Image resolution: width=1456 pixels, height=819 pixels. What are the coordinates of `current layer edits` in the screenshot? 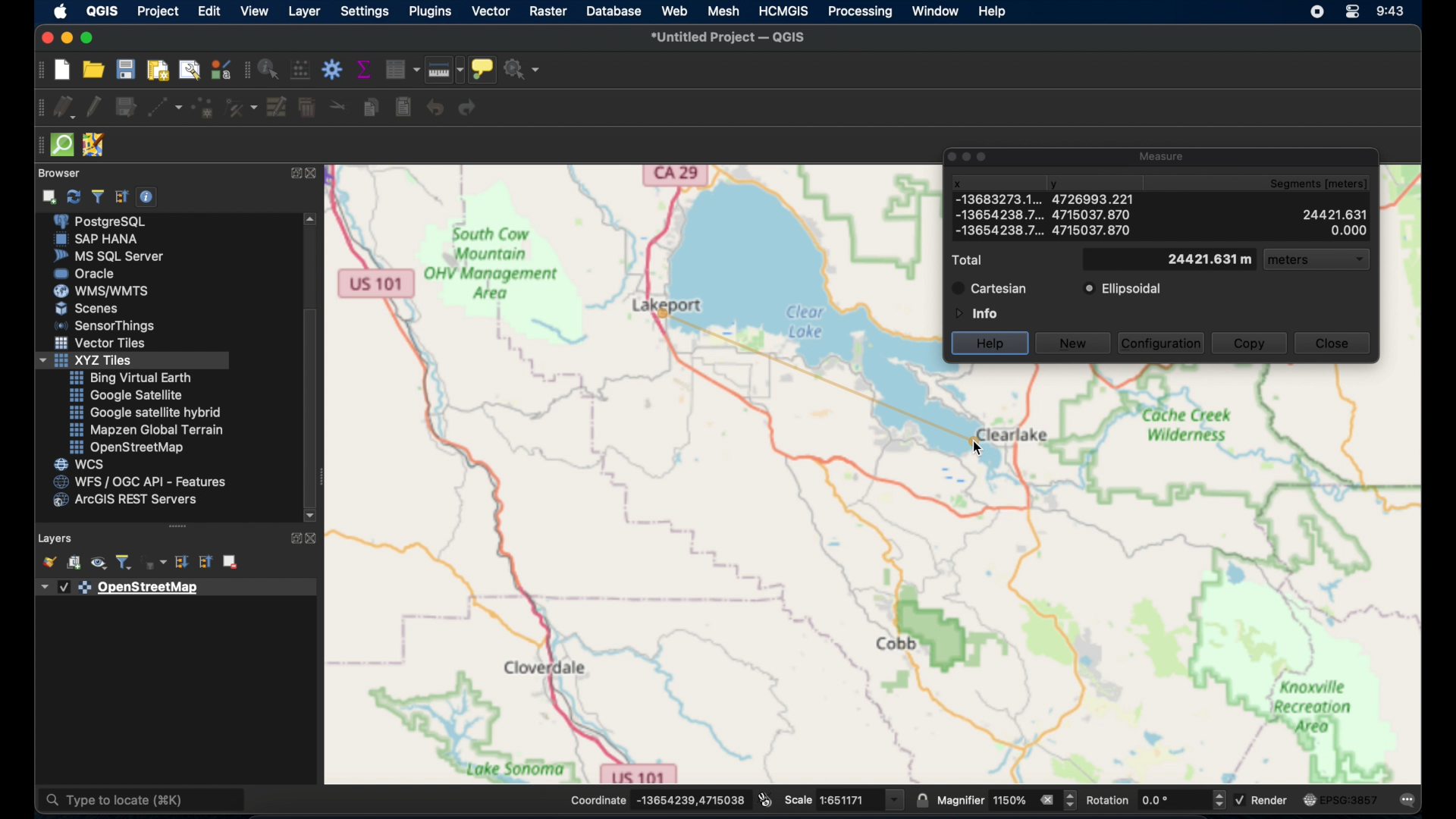 It's located at (62, 108).